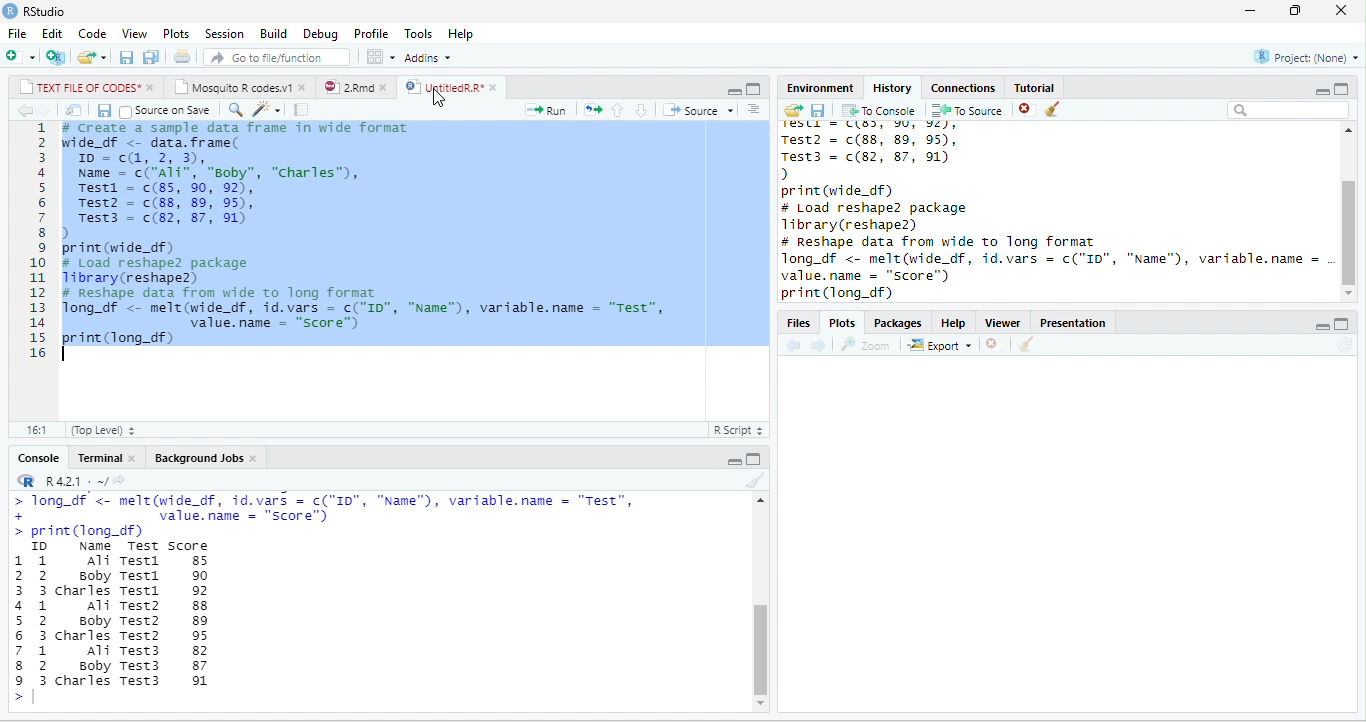  What do you see at coordinates (866, 345) in the screenshot?
I see `Zoom` at bounding box center [866, 345].